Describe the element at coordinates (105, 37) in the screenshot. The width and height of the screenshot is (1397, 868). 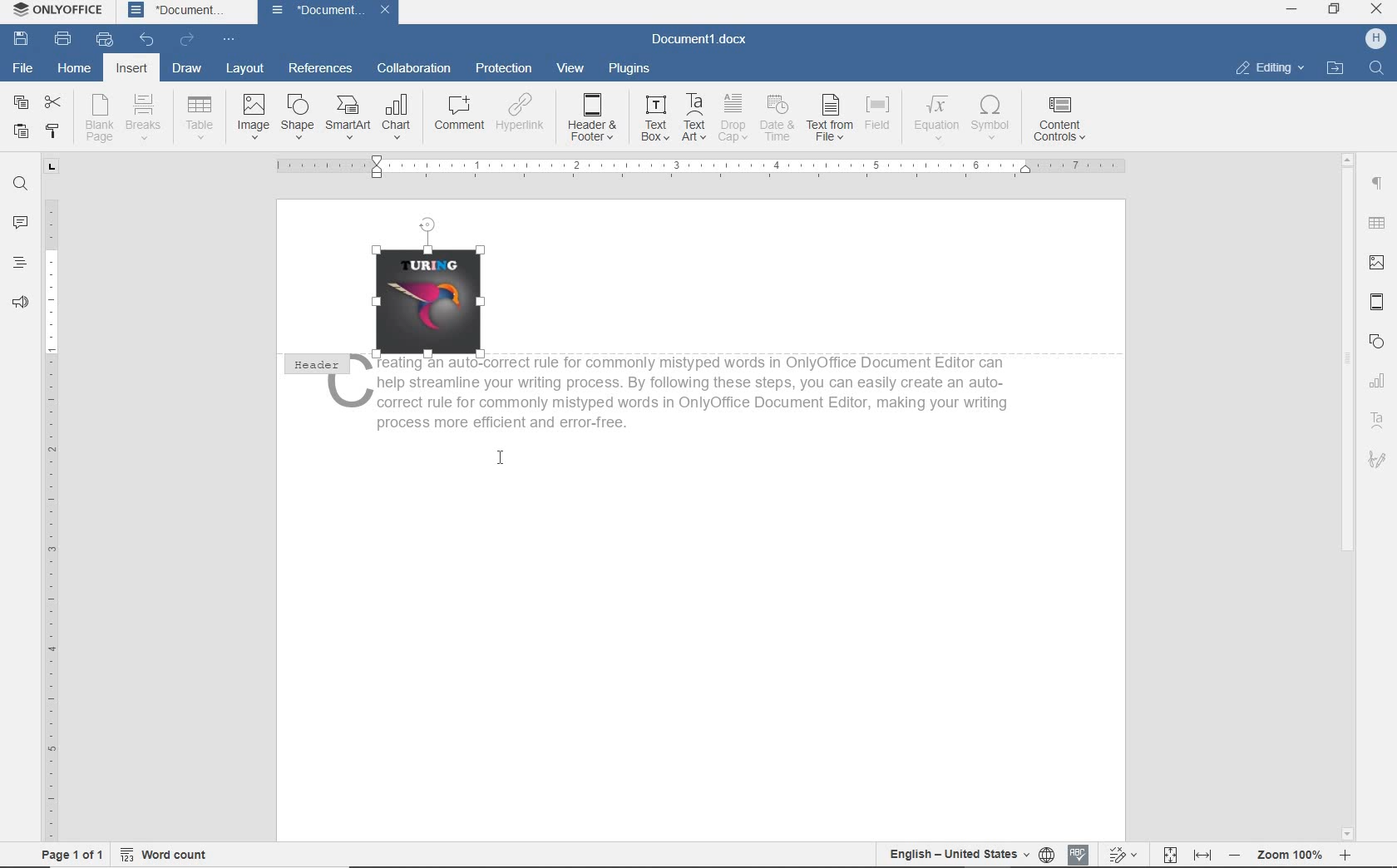
I see `QUICK PRINT` at that location.